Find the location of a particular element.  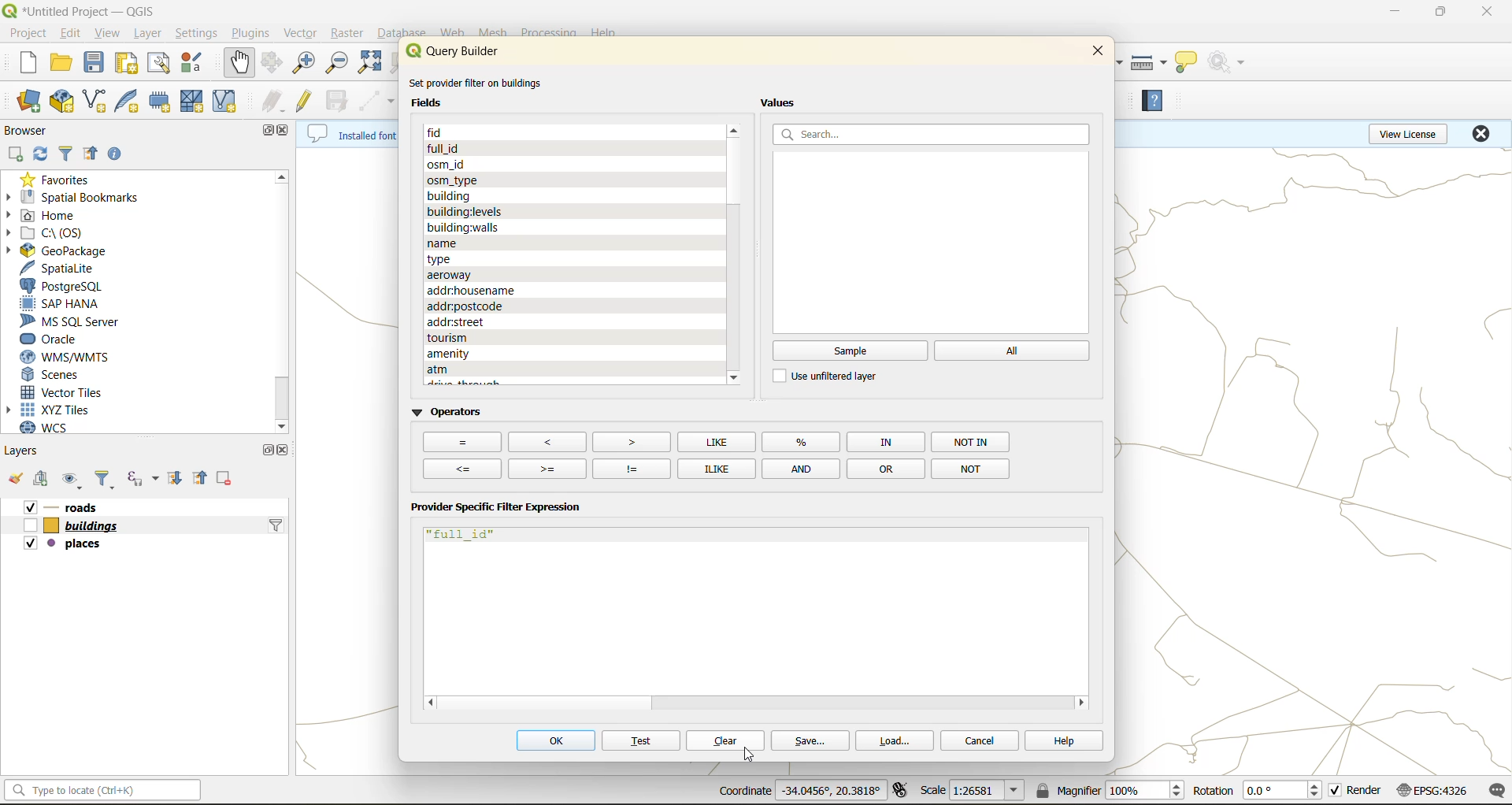

zoom full is located at coordinates (373, 63).